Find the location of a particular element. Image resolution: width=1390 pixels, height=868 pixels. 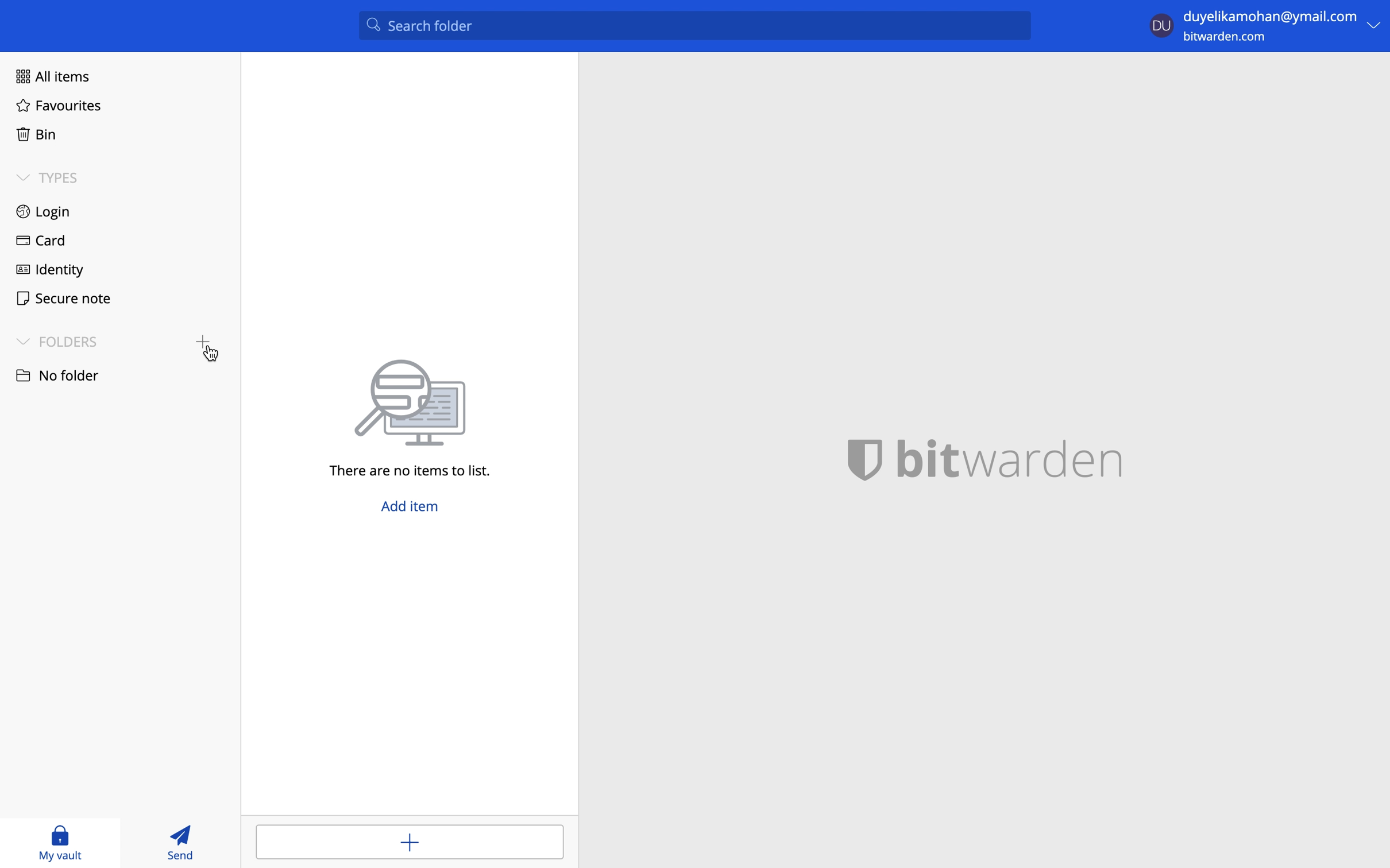

no folder is located at coordinates (56, 374).